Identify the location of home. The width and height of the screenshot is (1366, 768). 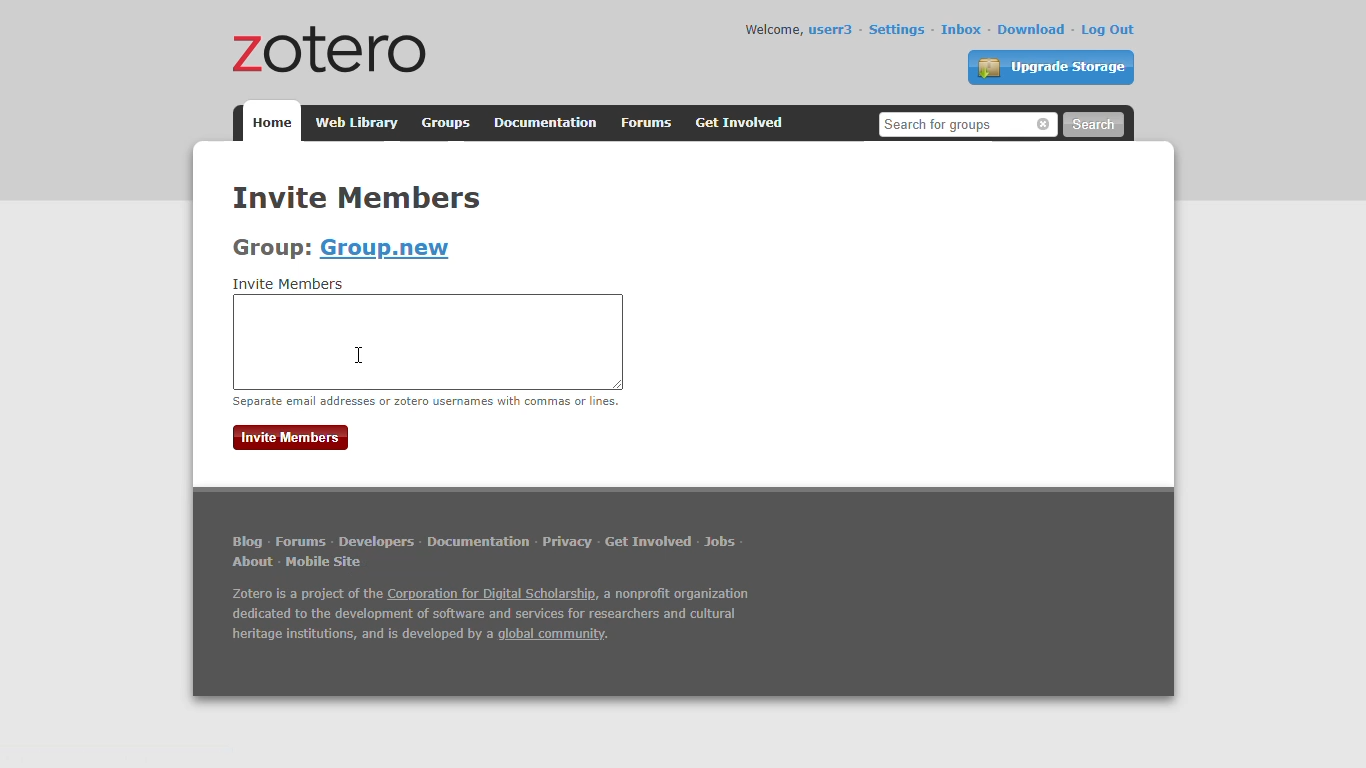
(271, 121).